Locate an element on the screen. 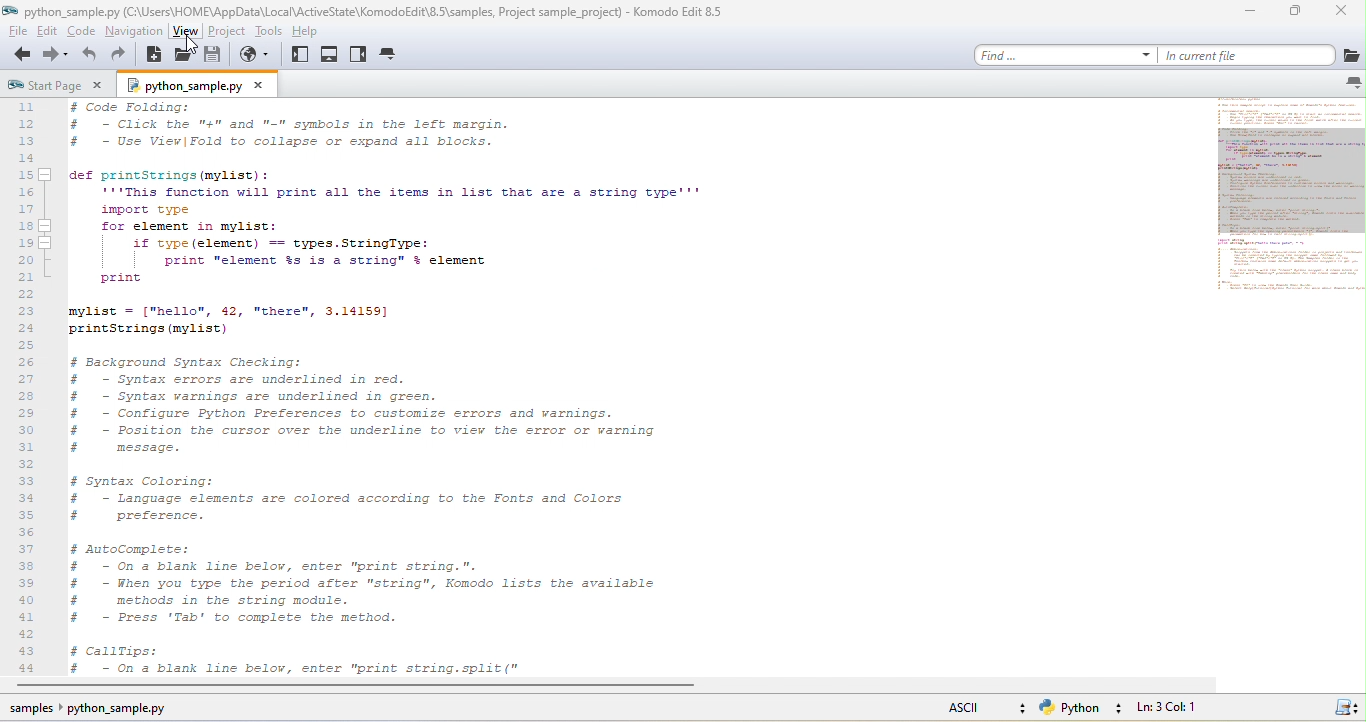  navigation is located at coordinates (132, 36).